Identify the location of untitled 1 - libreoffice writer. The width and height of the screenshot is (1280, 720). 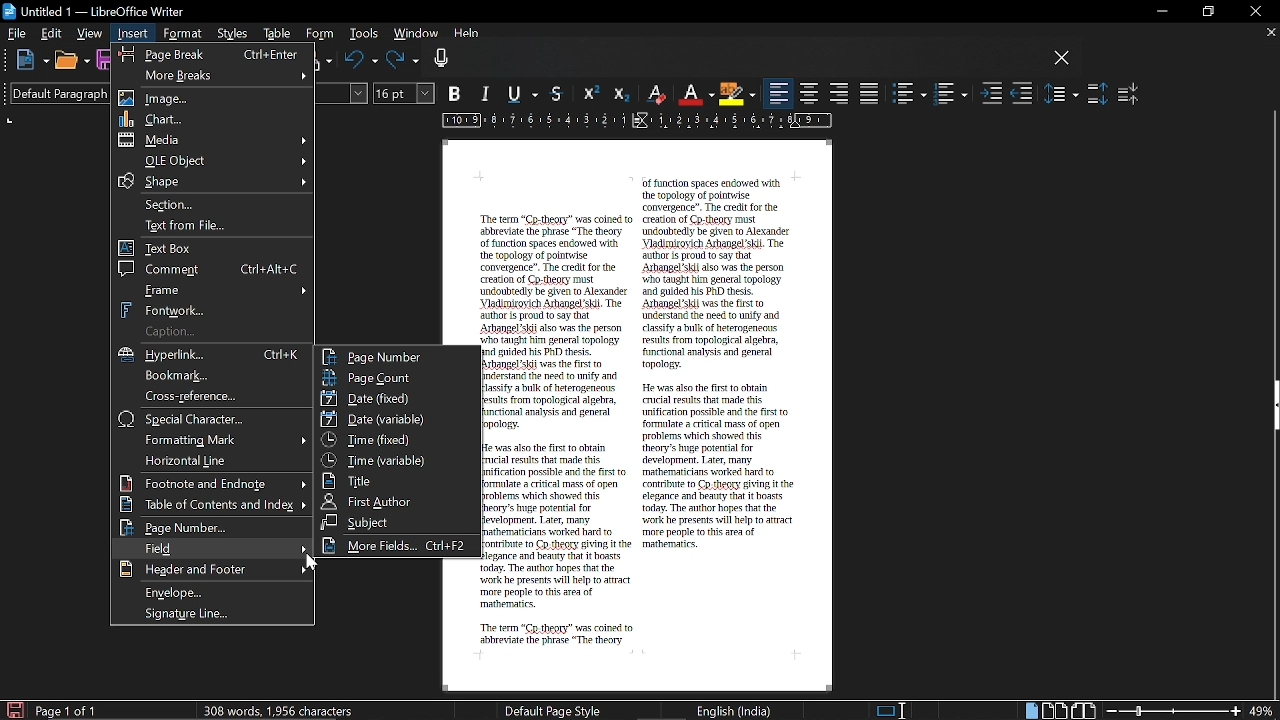
(97, 9).